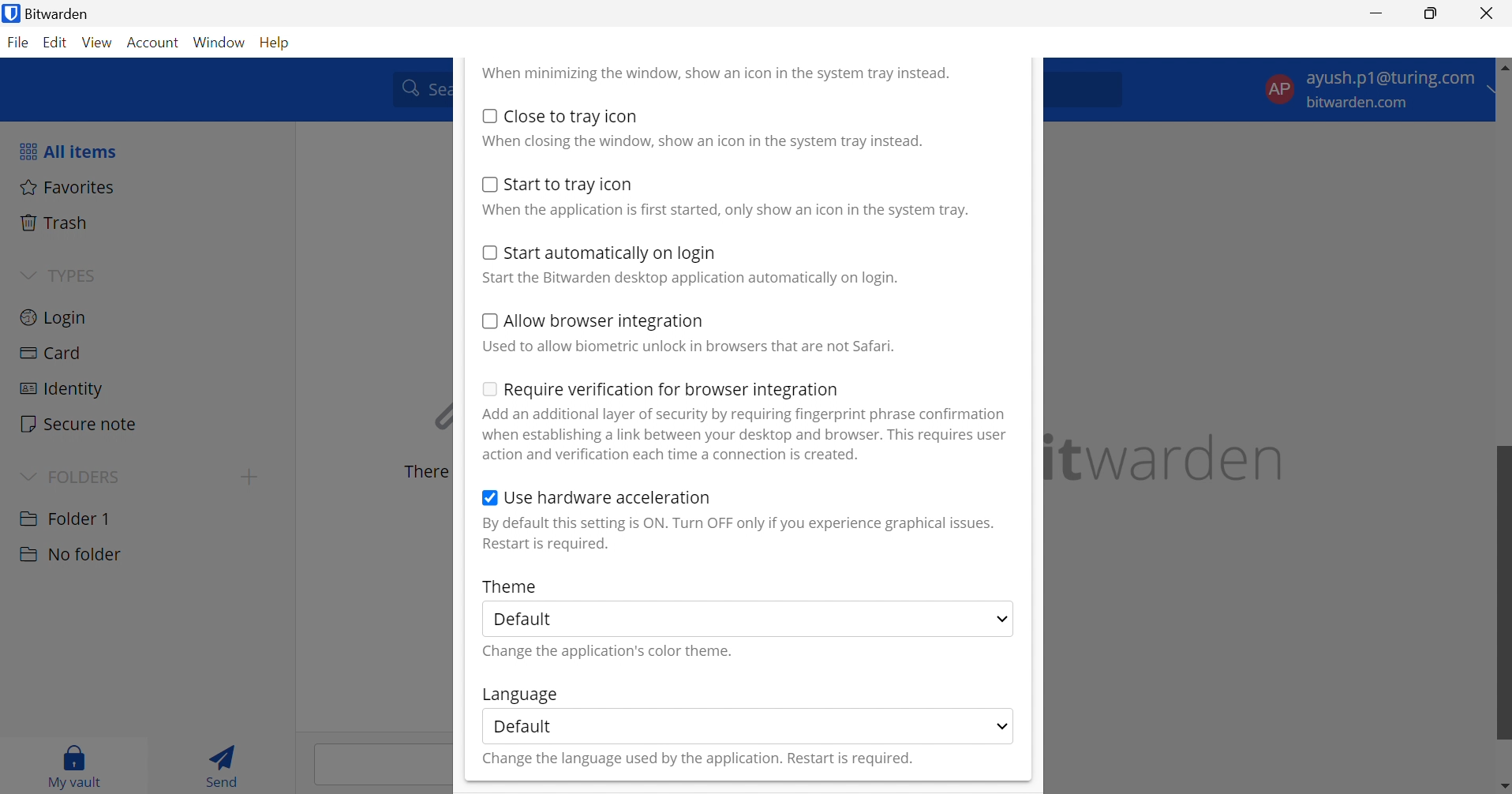 This screenshot has width=1512, height=794. What do you see at coordinates (66, 151) in the screenshot?
I see `All items` at bounding box center [66, 151].